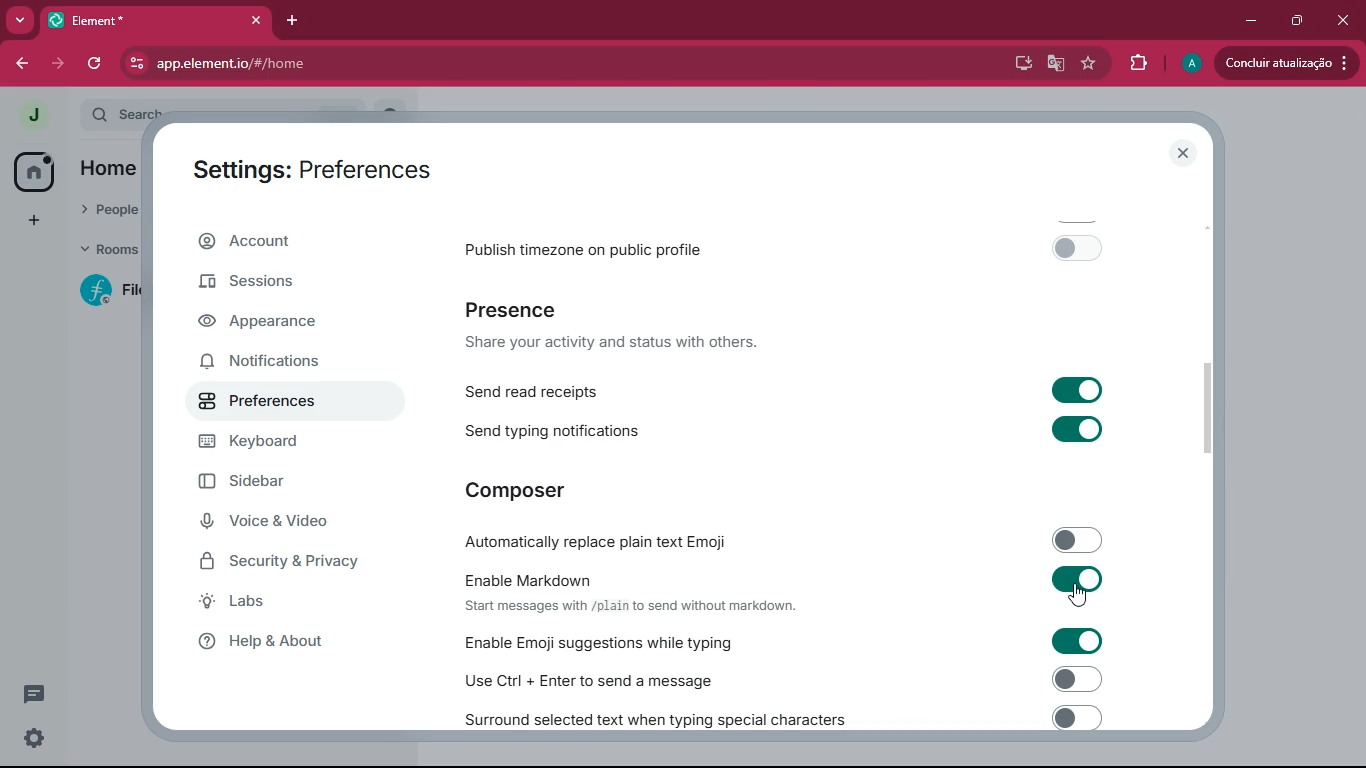  What do you see at coordinates (276, 523) in the screenshot?
I see `voice` at bounding box center [276, 523].